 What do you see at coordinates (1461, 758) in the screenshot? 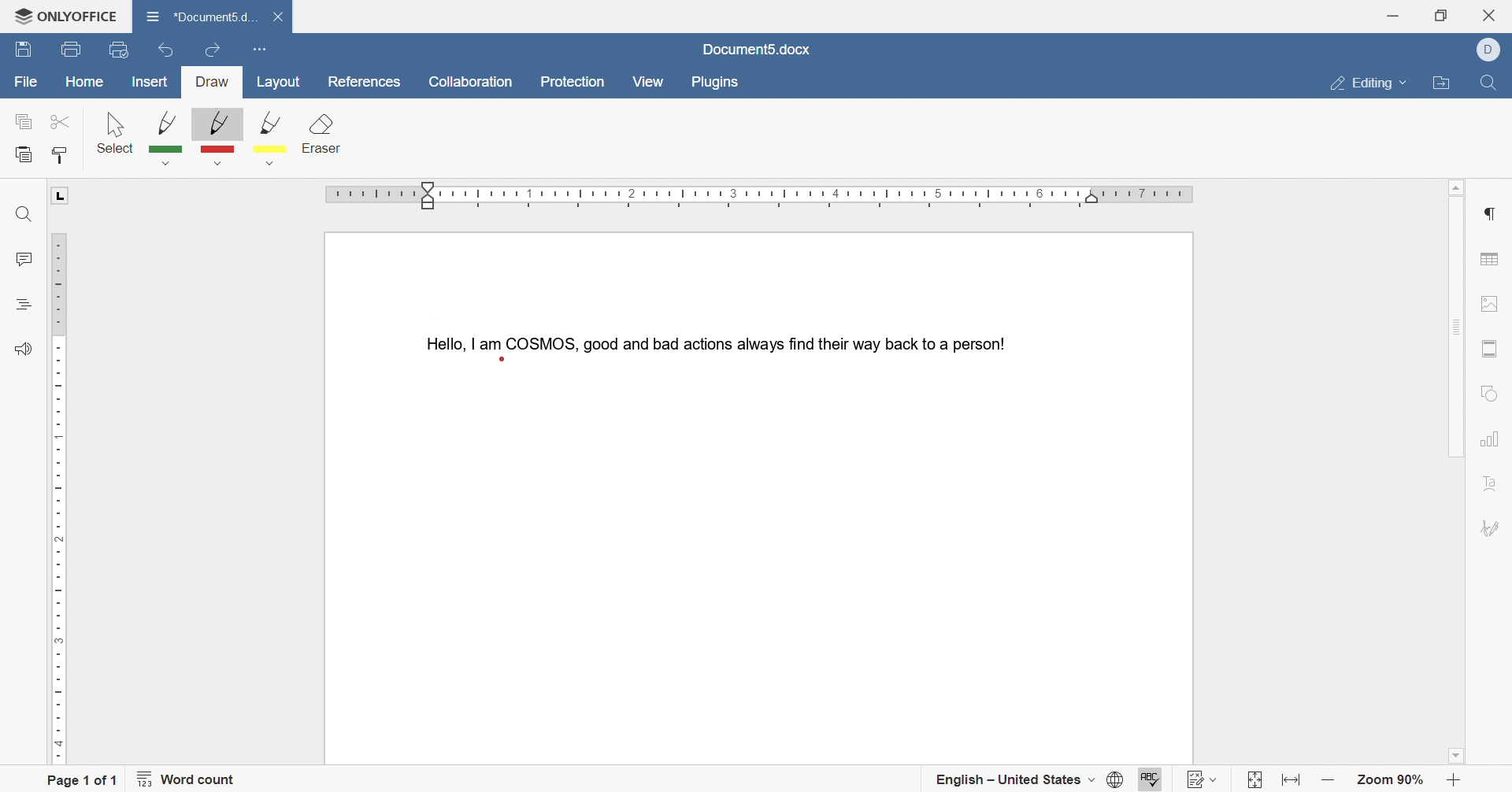
I see `scroll down` at bounding box center [1461, 758].